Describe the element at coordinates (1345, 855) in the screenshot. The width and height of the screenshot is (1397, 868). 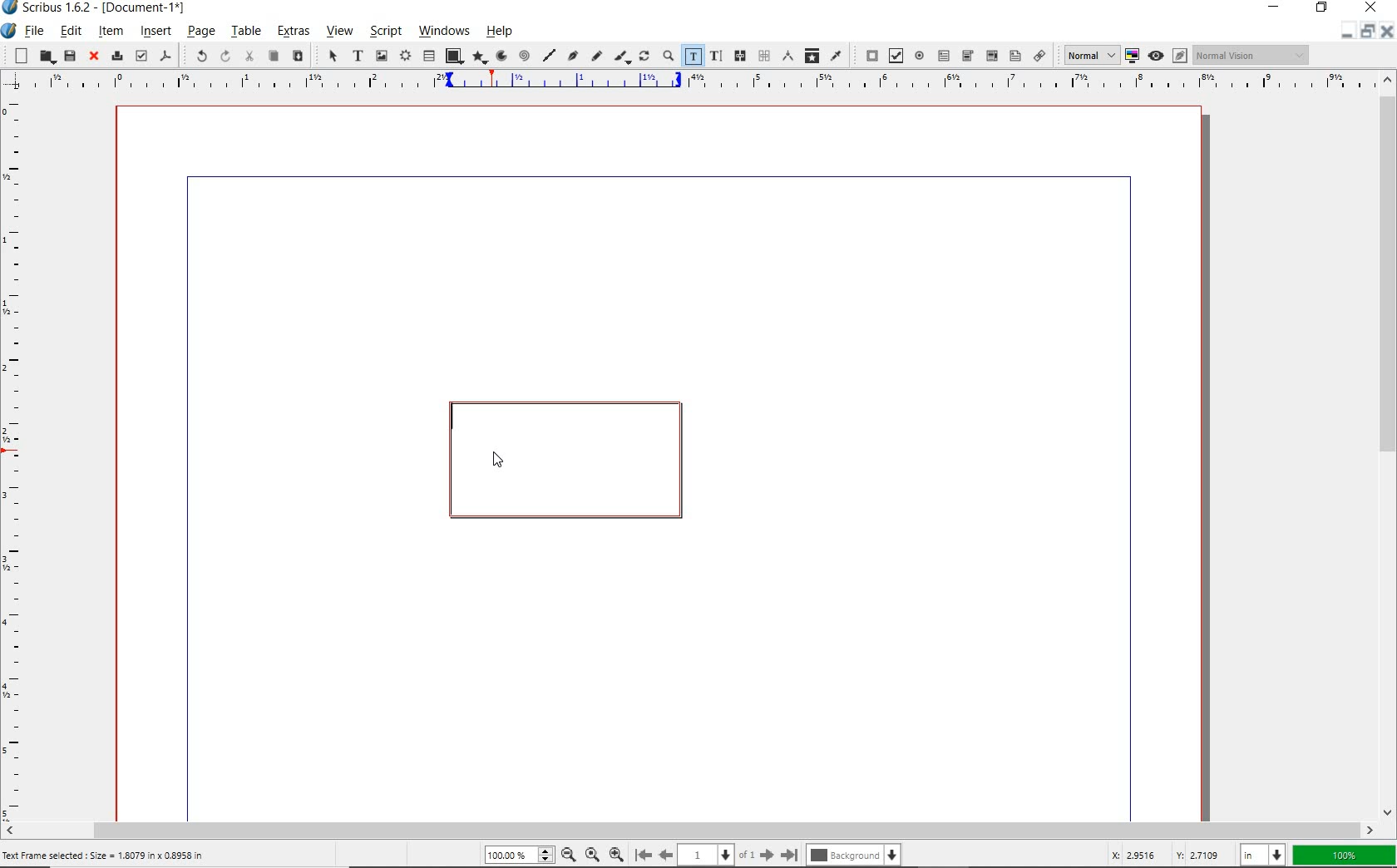
I see `zoom factor` at that location.